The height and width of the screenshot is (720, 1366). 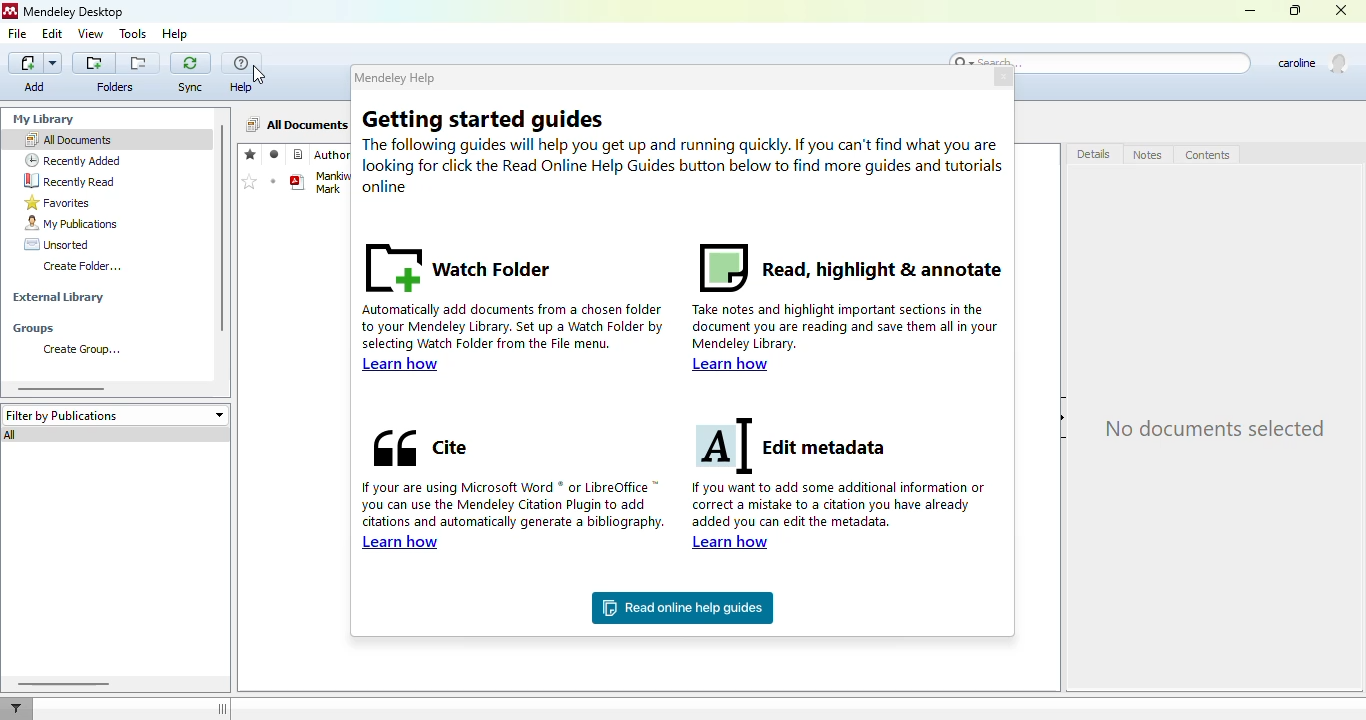 What do you see at coordinates (61, 389) in the screenshot?
I see `horizontal scroll bar` at bounding box center [61, 389].